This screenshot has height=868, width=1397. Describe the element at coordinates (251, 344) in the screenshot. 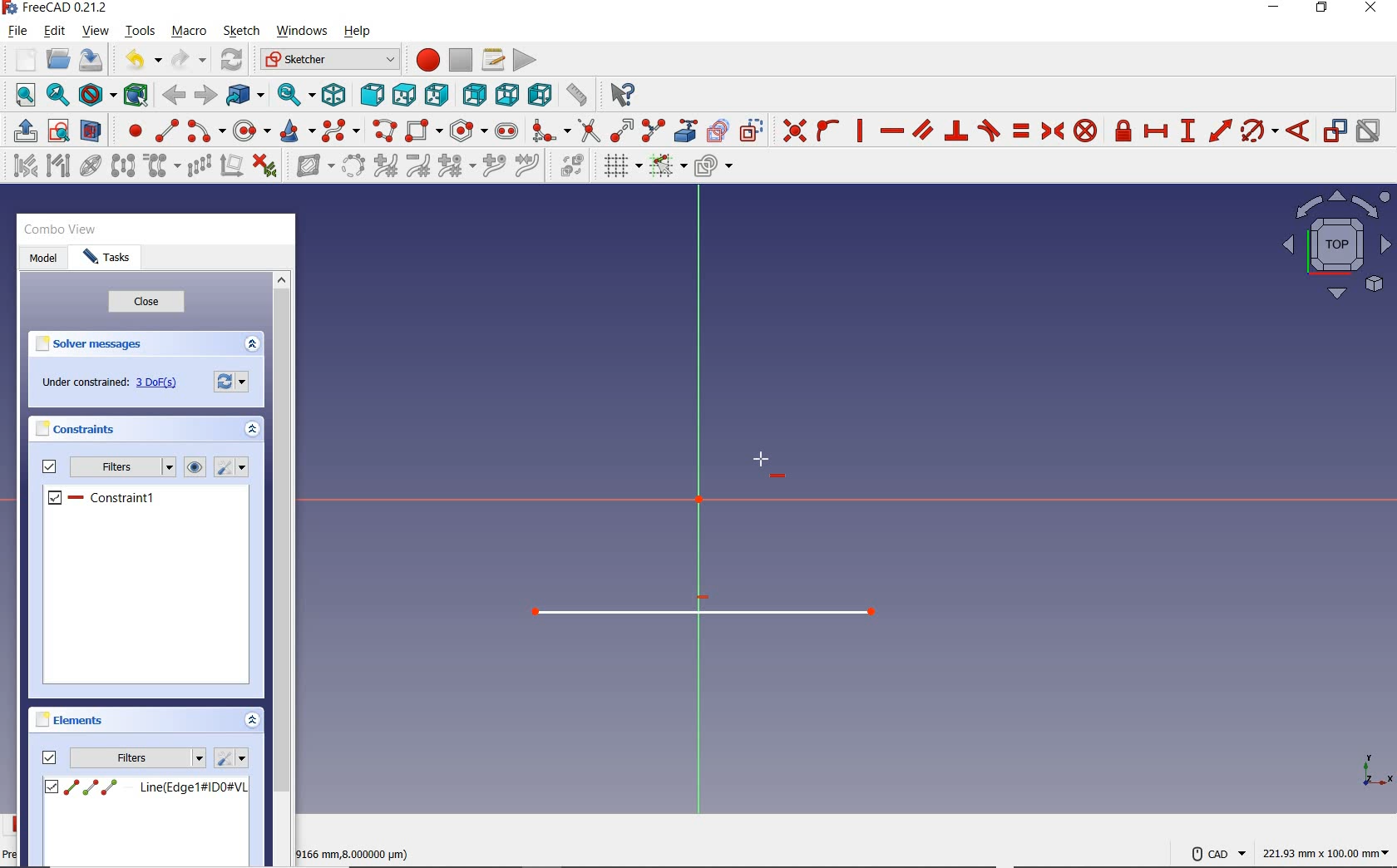

I see `COLLAPSE` at that location.